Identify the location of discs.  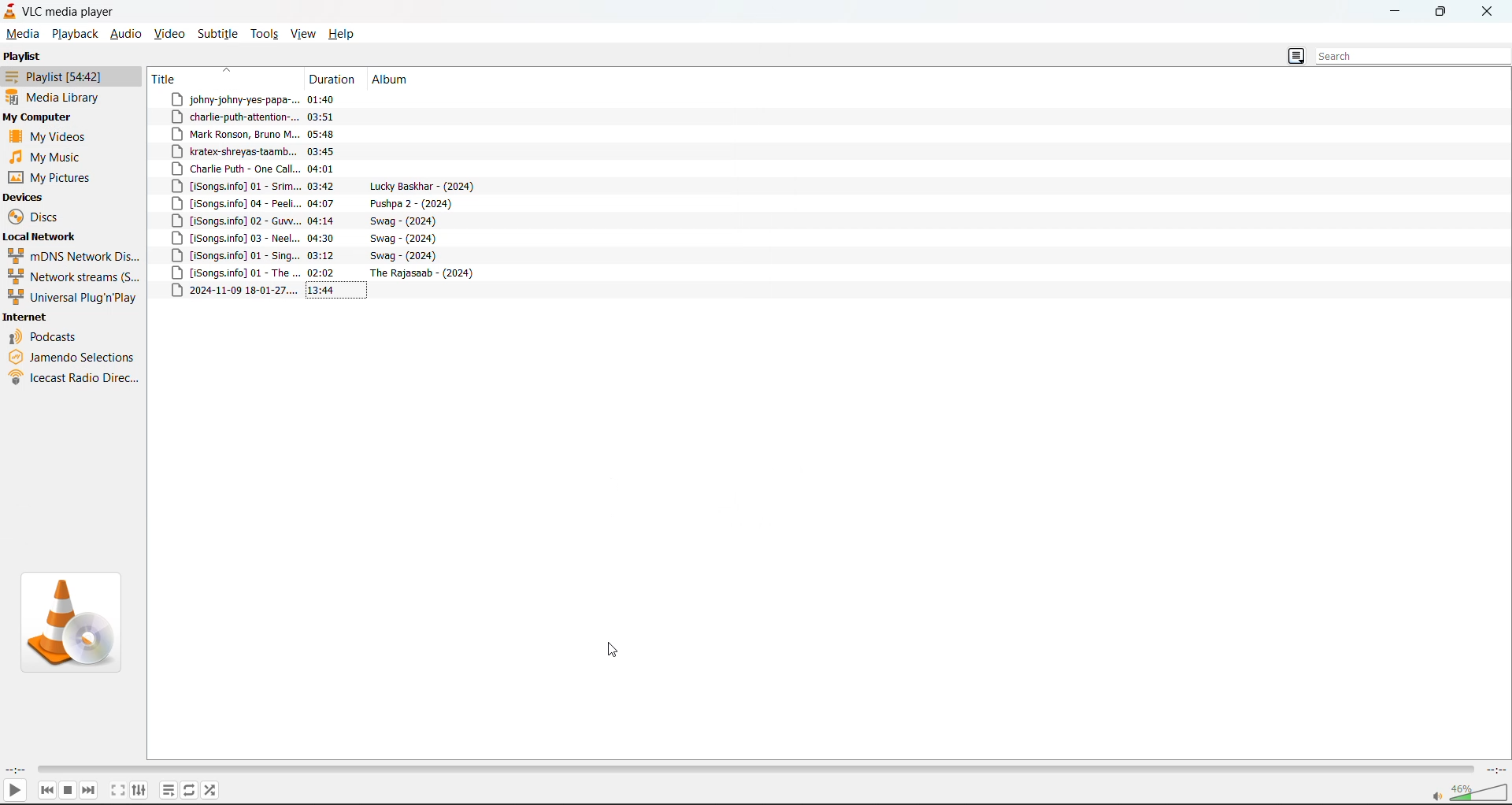
(33, 216).